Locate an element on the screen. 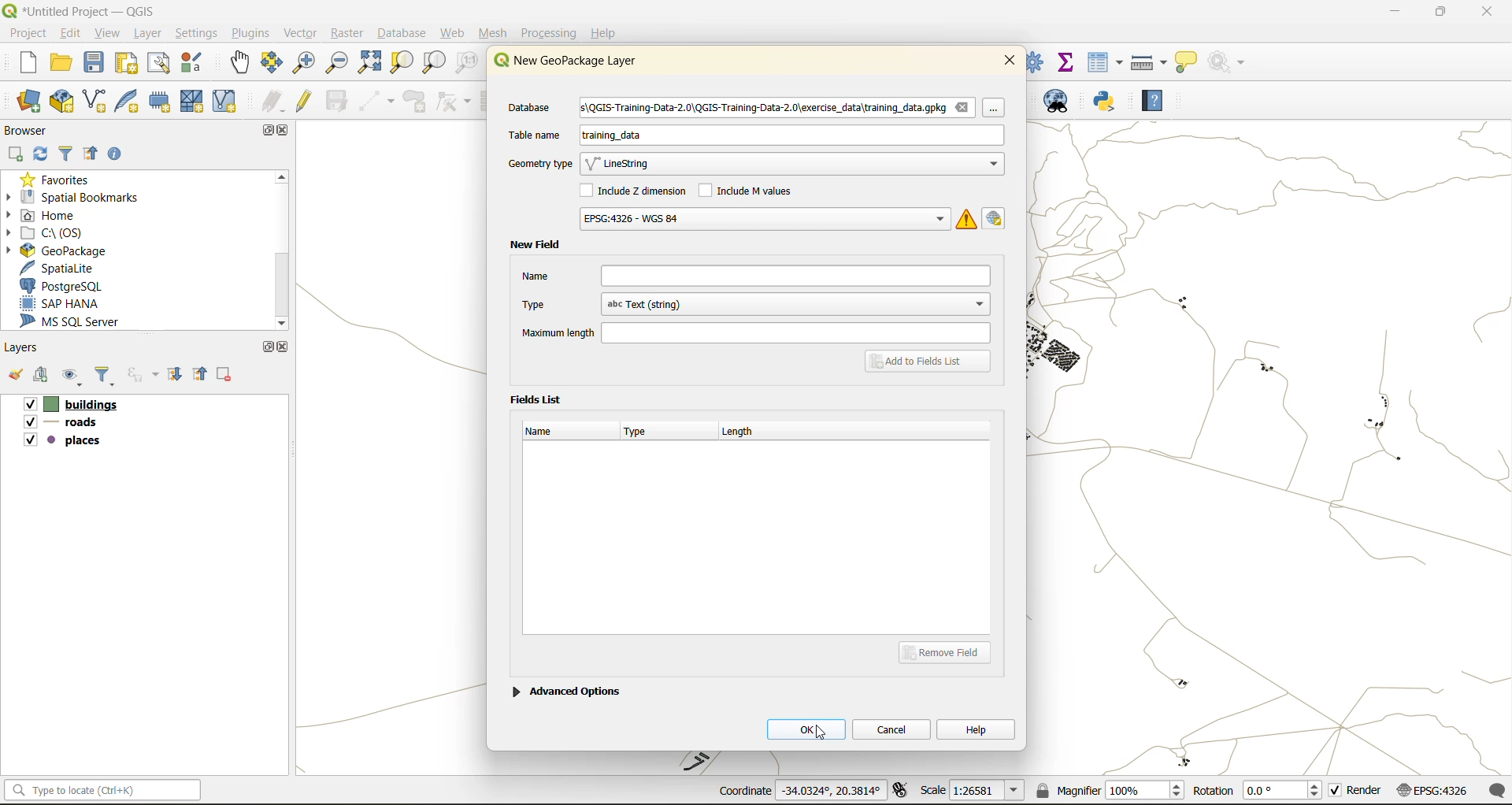  Scroll bar is located at coordinates (280, 250).